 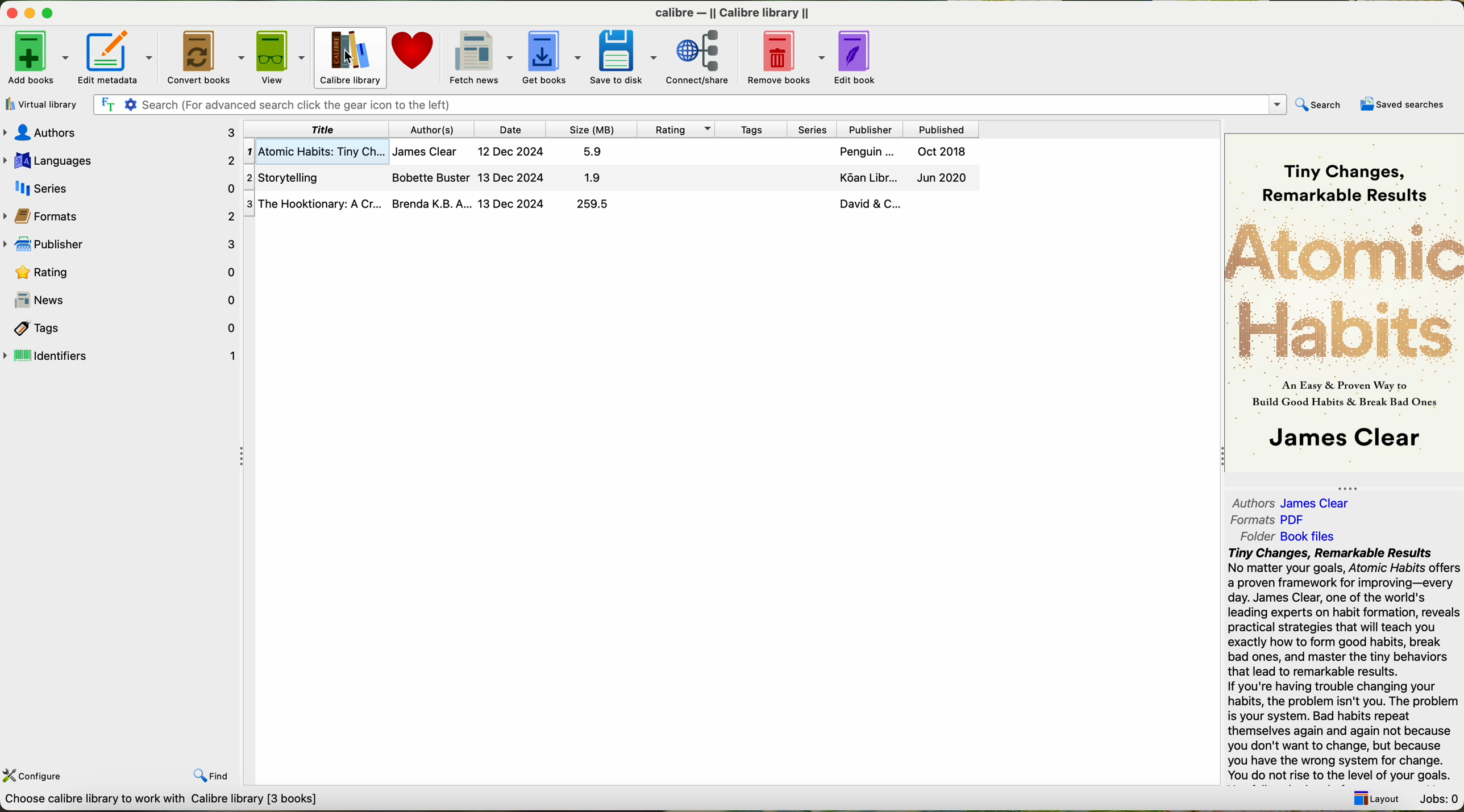 I want to click on virtual library, so click(x=39, y=104).